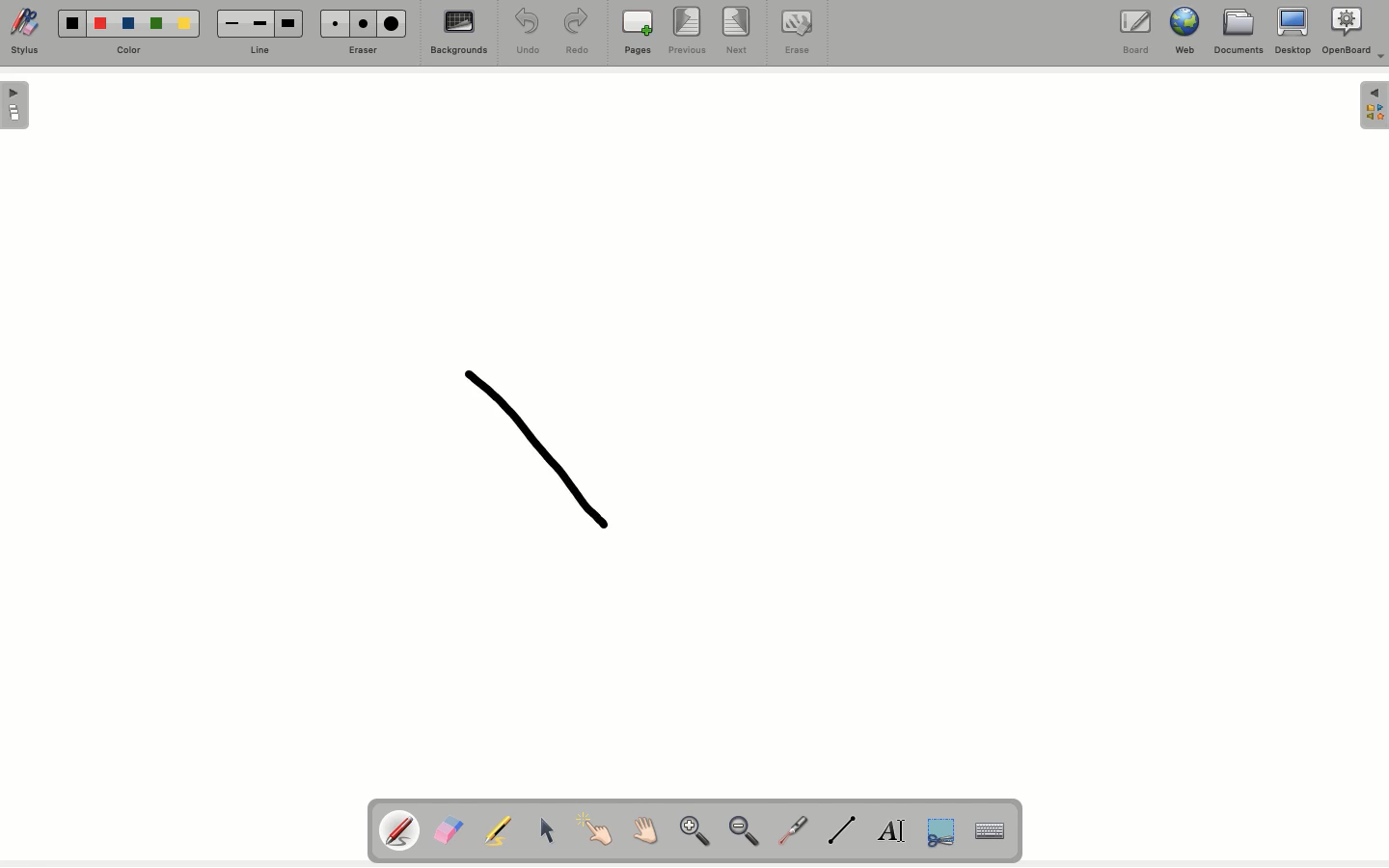 This screenshot has height=868, width=1389. What do you see at coordinates (1374, 107) in the screenshot?
I see `Menu` at bounding box center [1374, 107].